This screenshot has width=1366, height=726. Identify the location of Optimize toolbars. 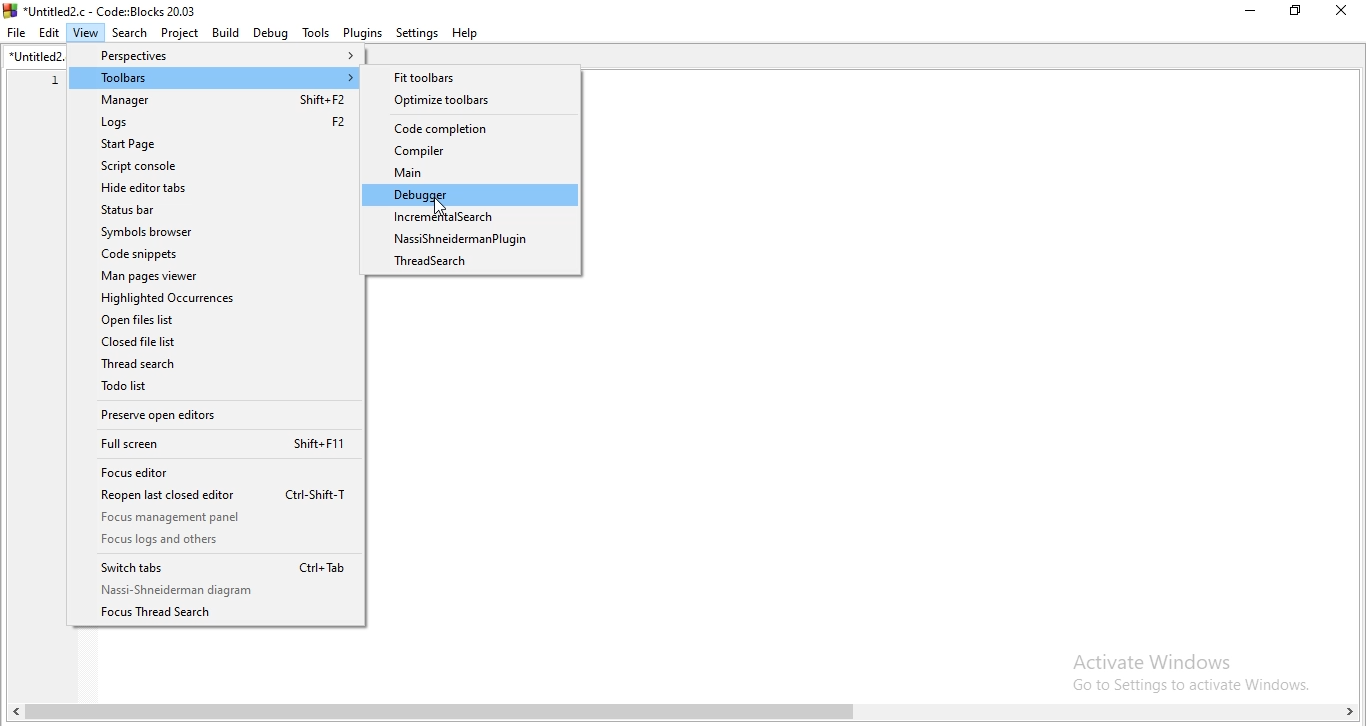
(466, 101).